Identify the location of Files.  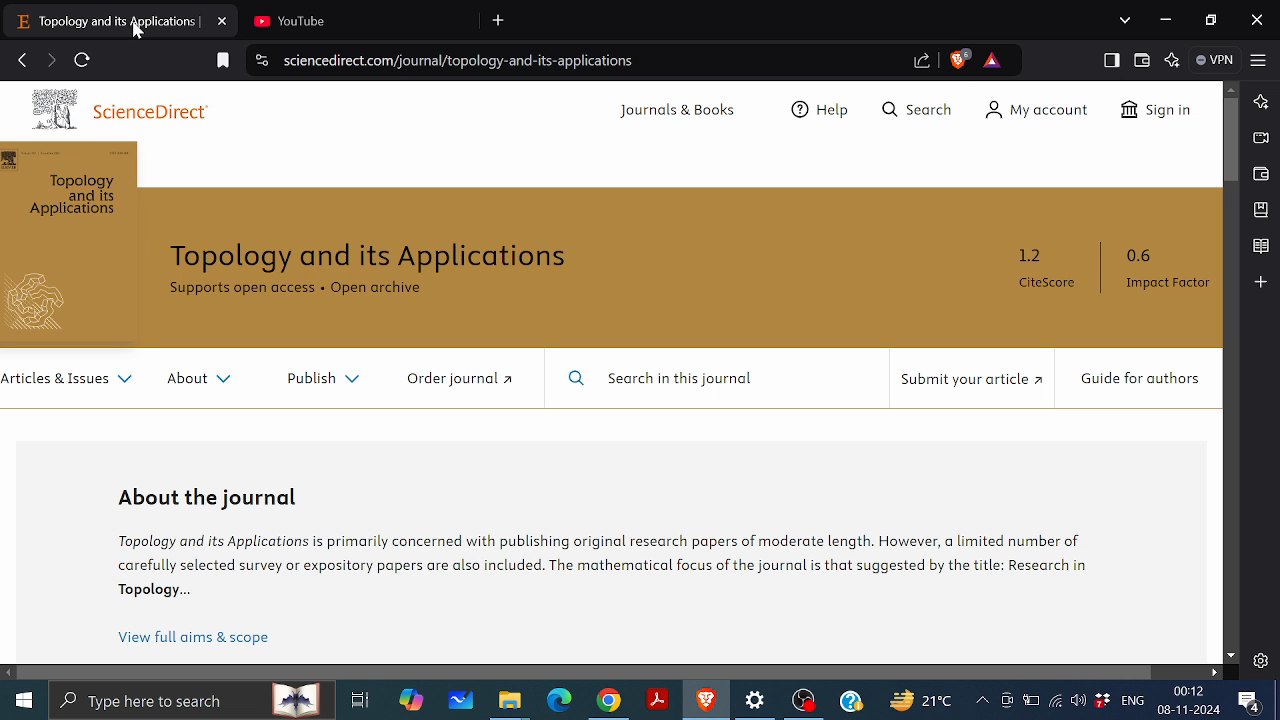
(510, 702).